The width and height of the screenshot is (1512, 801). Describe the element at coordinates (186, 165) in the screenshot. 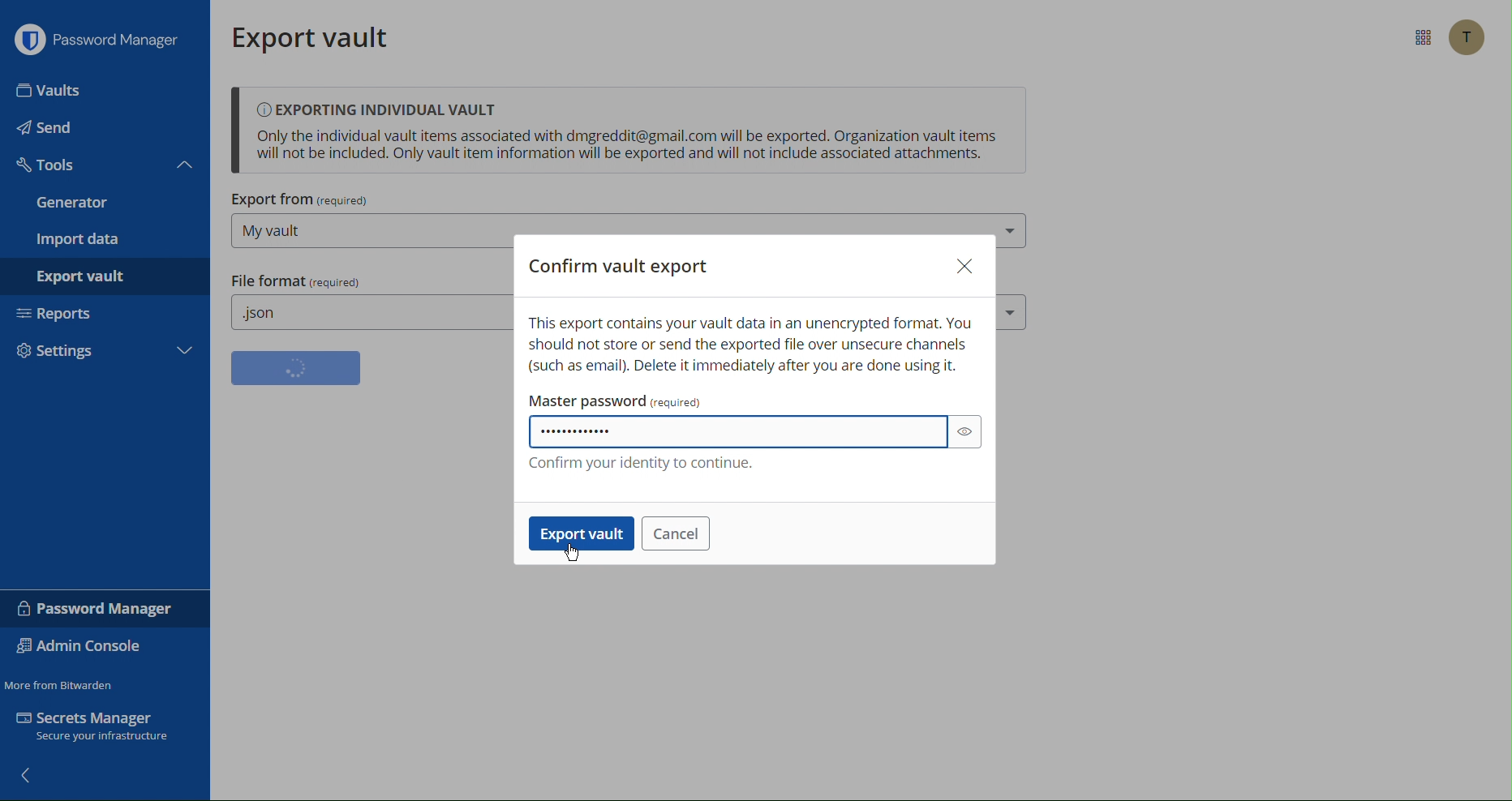

I see `Close tools` at that location.